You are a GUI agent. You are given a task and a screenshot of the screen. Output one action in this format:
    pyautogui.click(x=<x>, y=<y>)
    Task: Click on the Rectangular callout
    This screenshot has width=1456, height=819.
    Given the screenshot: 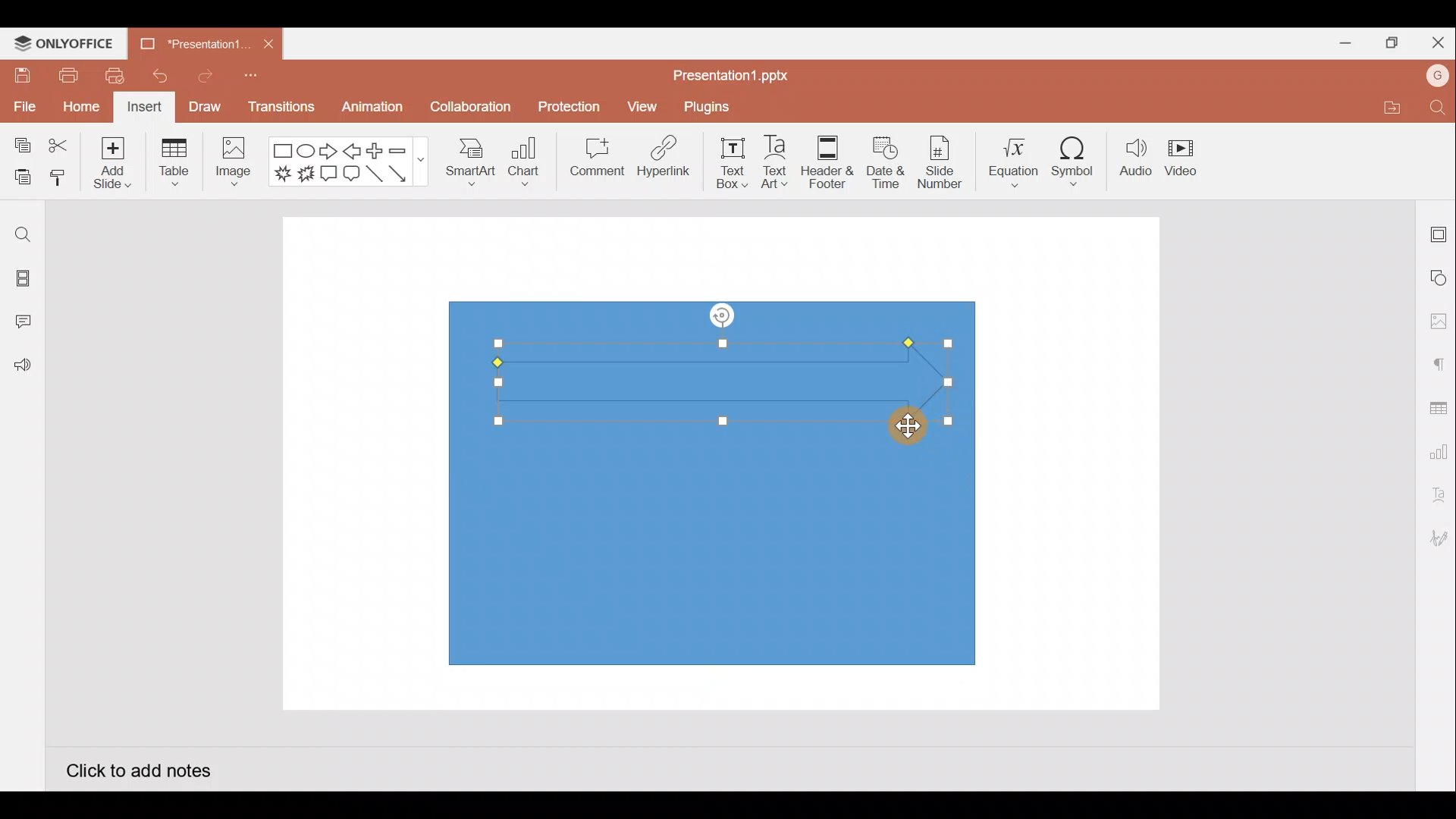 What is the action you would take?
    pyautogui.click(x=329, y=174)
    